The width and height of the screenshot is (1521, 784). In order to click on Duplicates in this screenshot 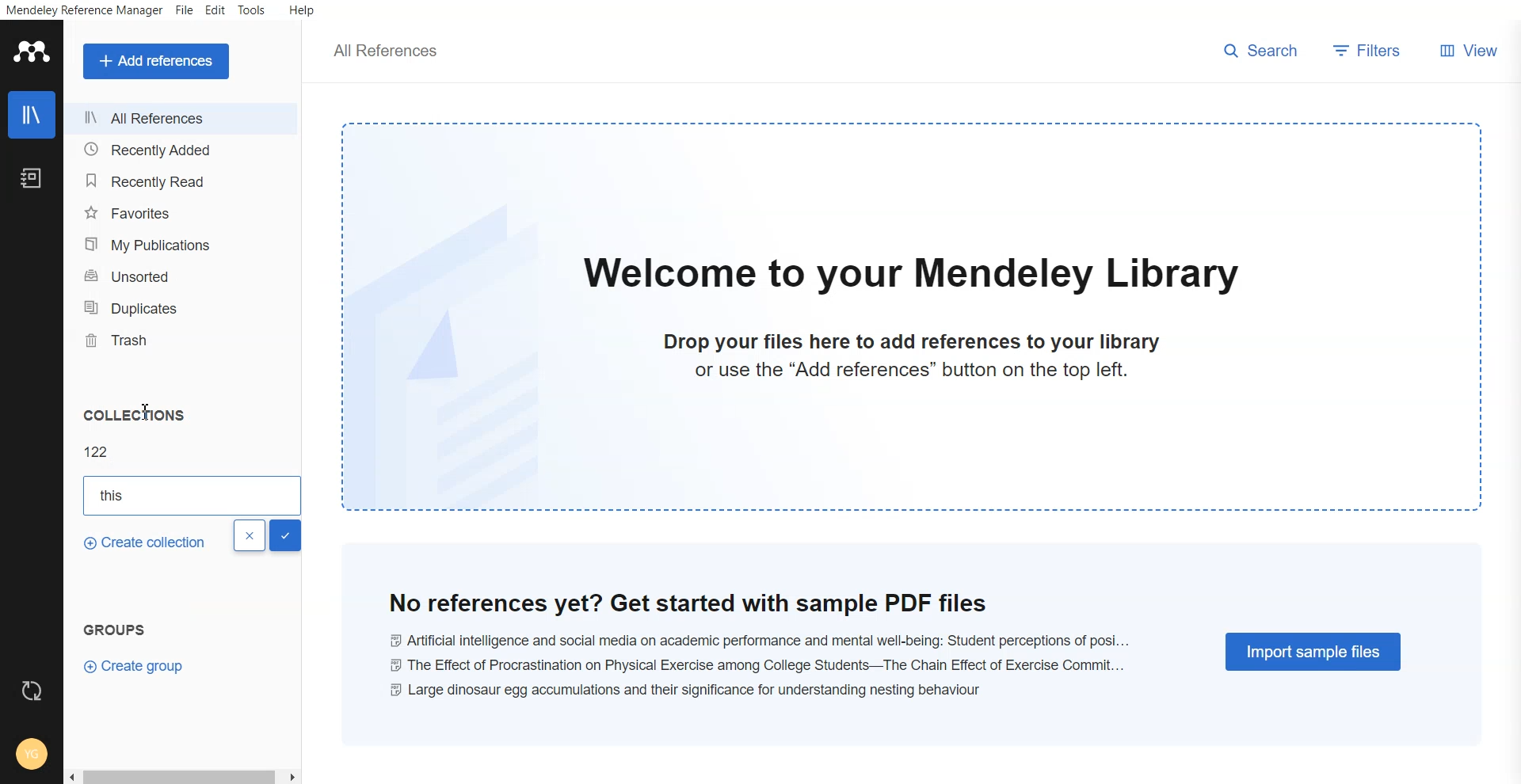, I will do `click(185, 307)`.